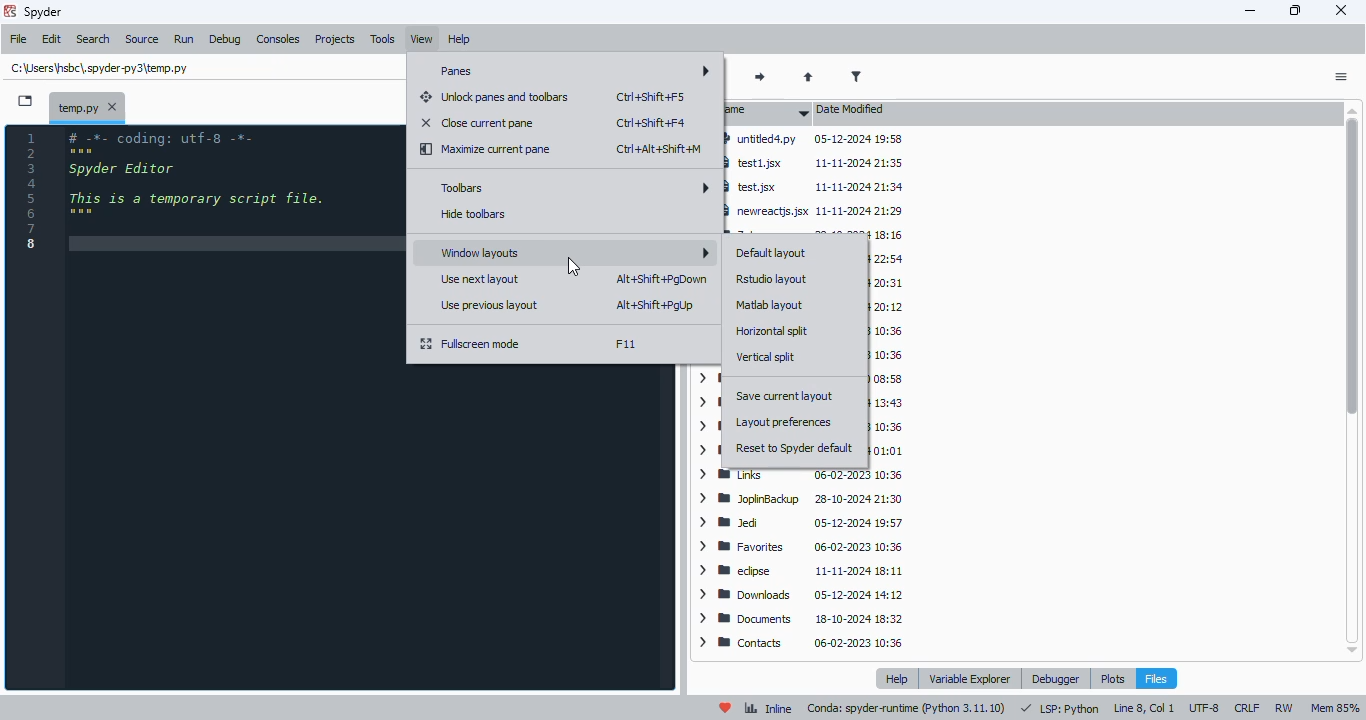 The width and height of the screenshot is (1366, 720). What do you see at coordinates (95, 39) in the screenshot?
I see `search` at bounding box center [95, 39].